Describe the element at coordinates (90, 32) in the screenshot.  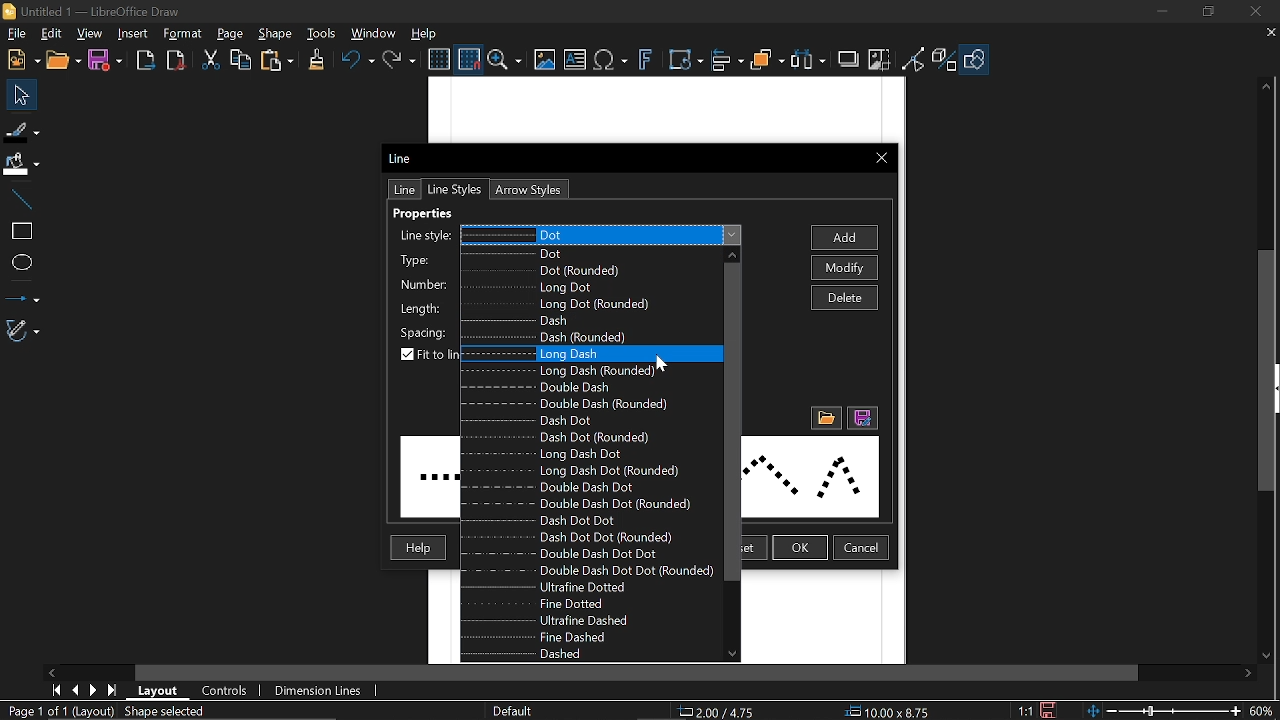
I see `View` at that location.